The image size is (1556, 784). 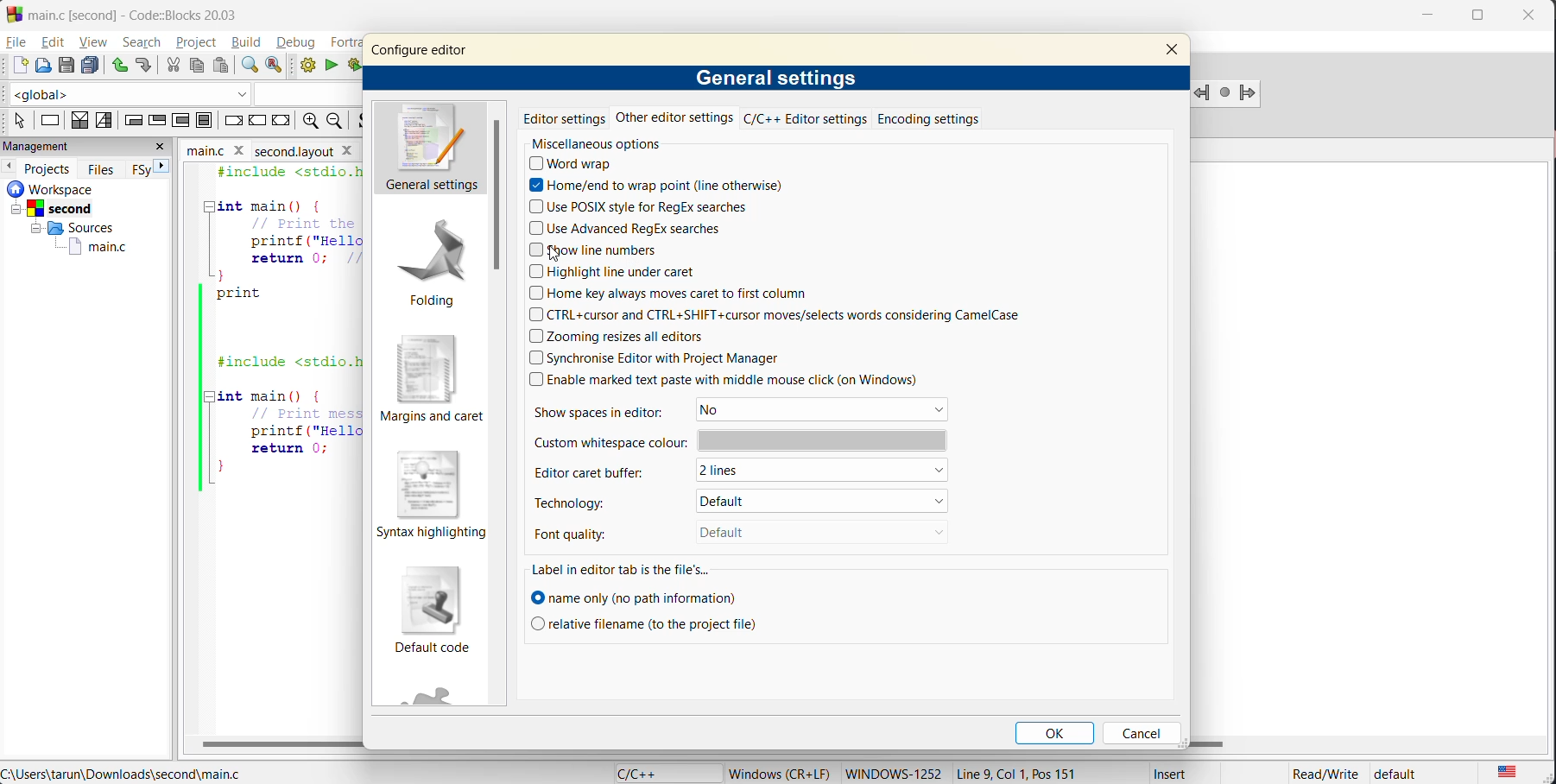 I want to click on home key always moves caret to first column, so click(x=680, y=293).